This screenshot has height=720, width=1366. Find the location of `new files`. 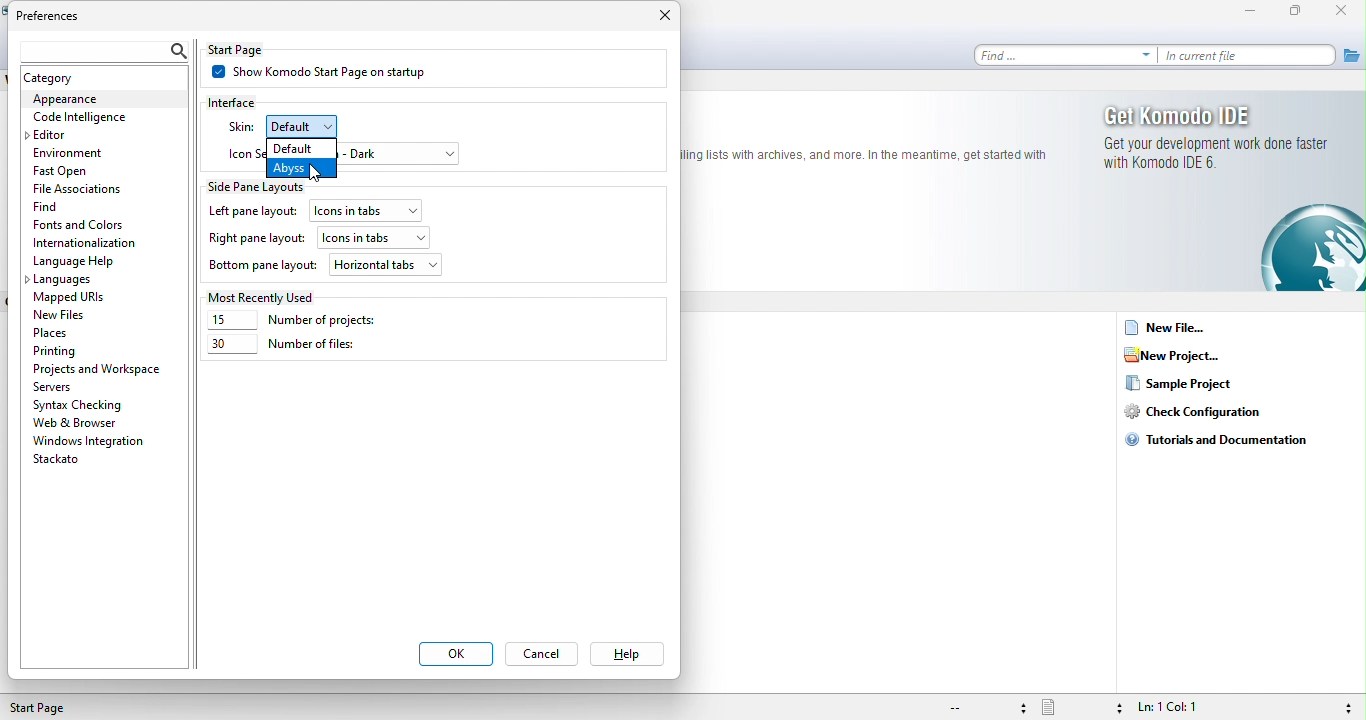

new files is located at coordinates (78, 314).